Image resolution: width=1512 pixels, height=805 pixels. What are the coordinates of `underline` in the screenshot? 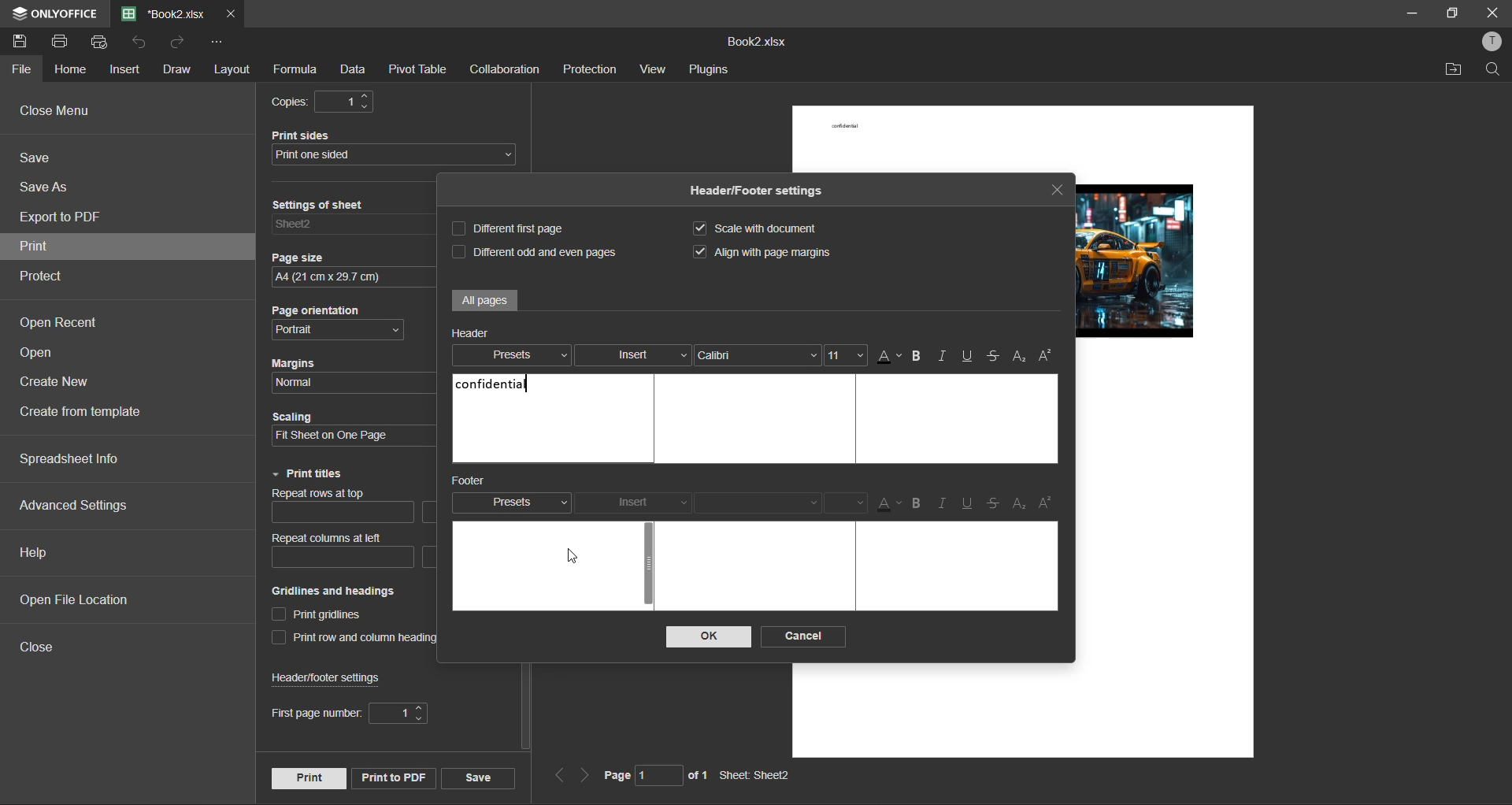 It's located at (969, 355).